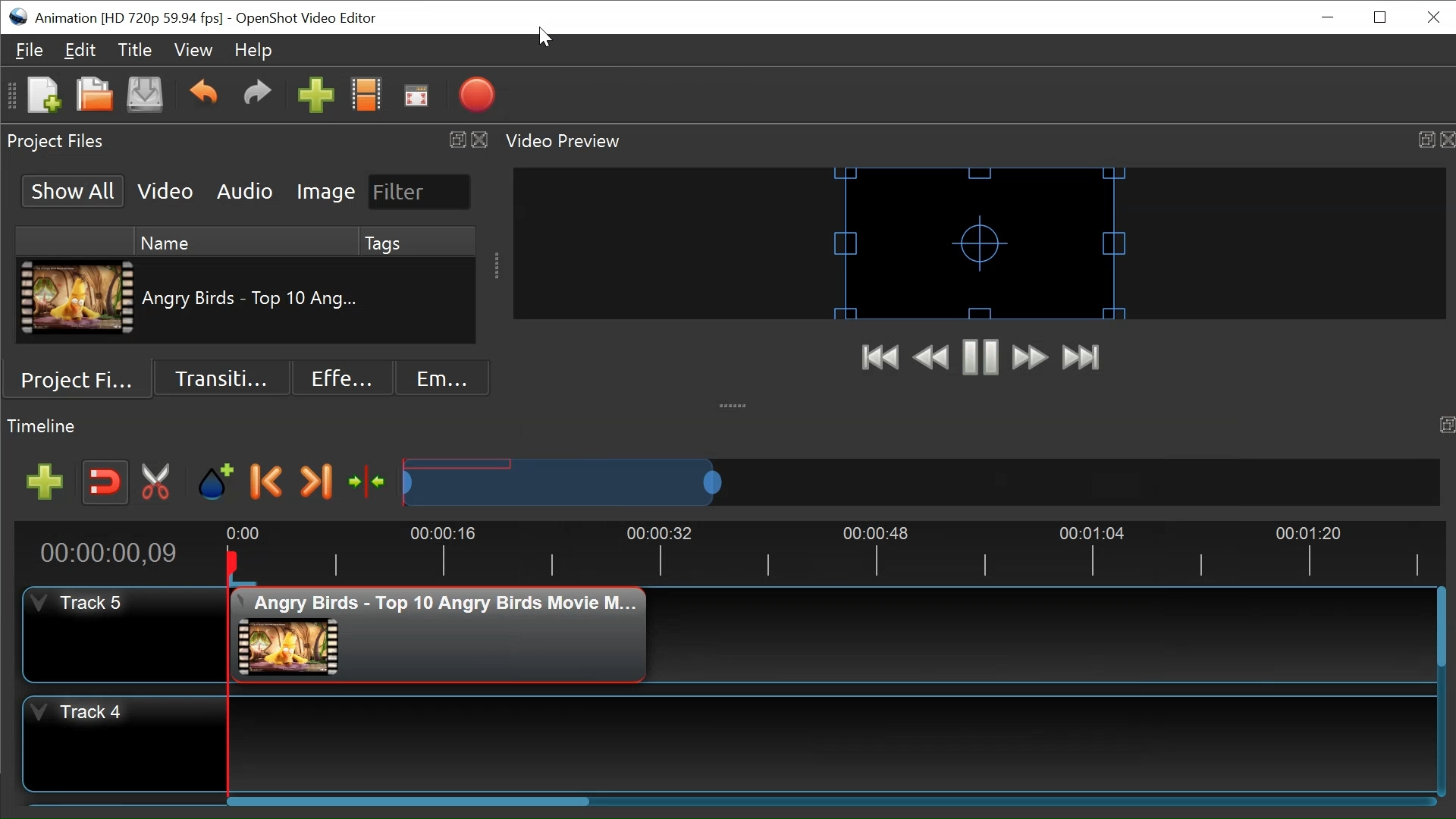 The image size is (1456, 819). Describe the element at coordinates (80, 297) in the screenshot. I see `Clip` at that location.